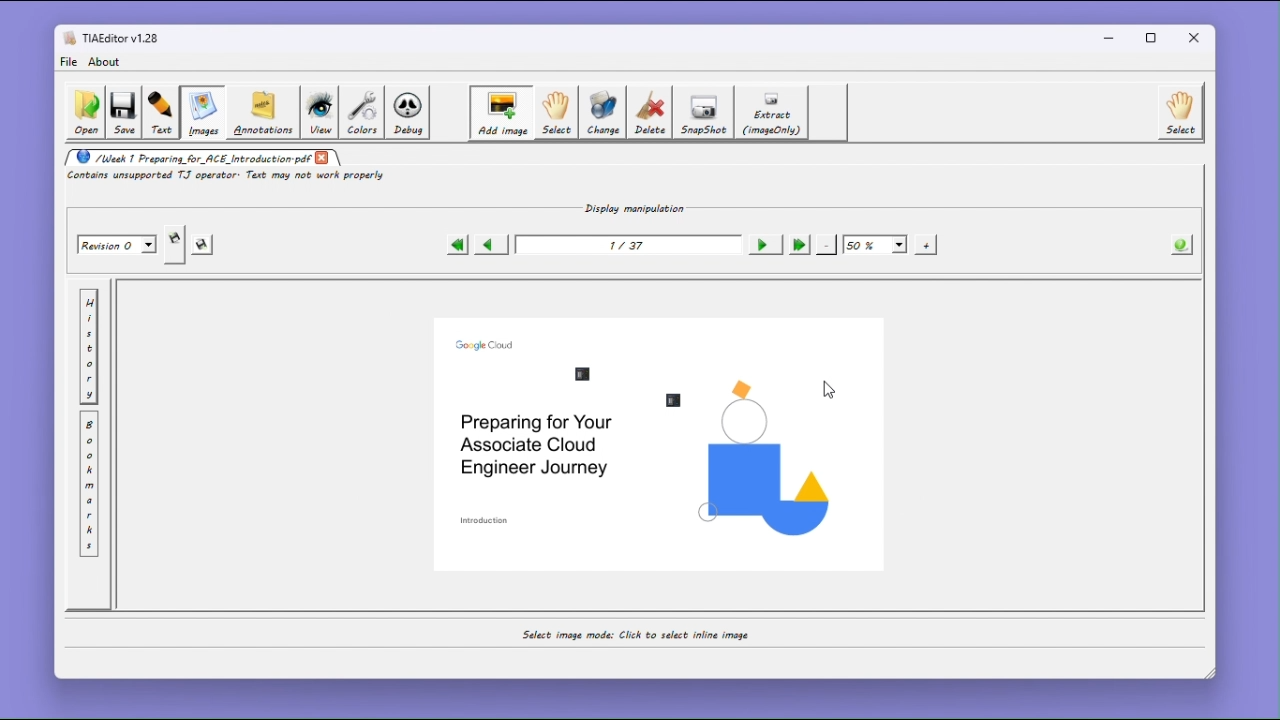 The width and height of the screenshot is (1280, 720). What do you see at coordinates (676, 400) in the screenshot?
I see `image file` at bounding box center [676, 400].